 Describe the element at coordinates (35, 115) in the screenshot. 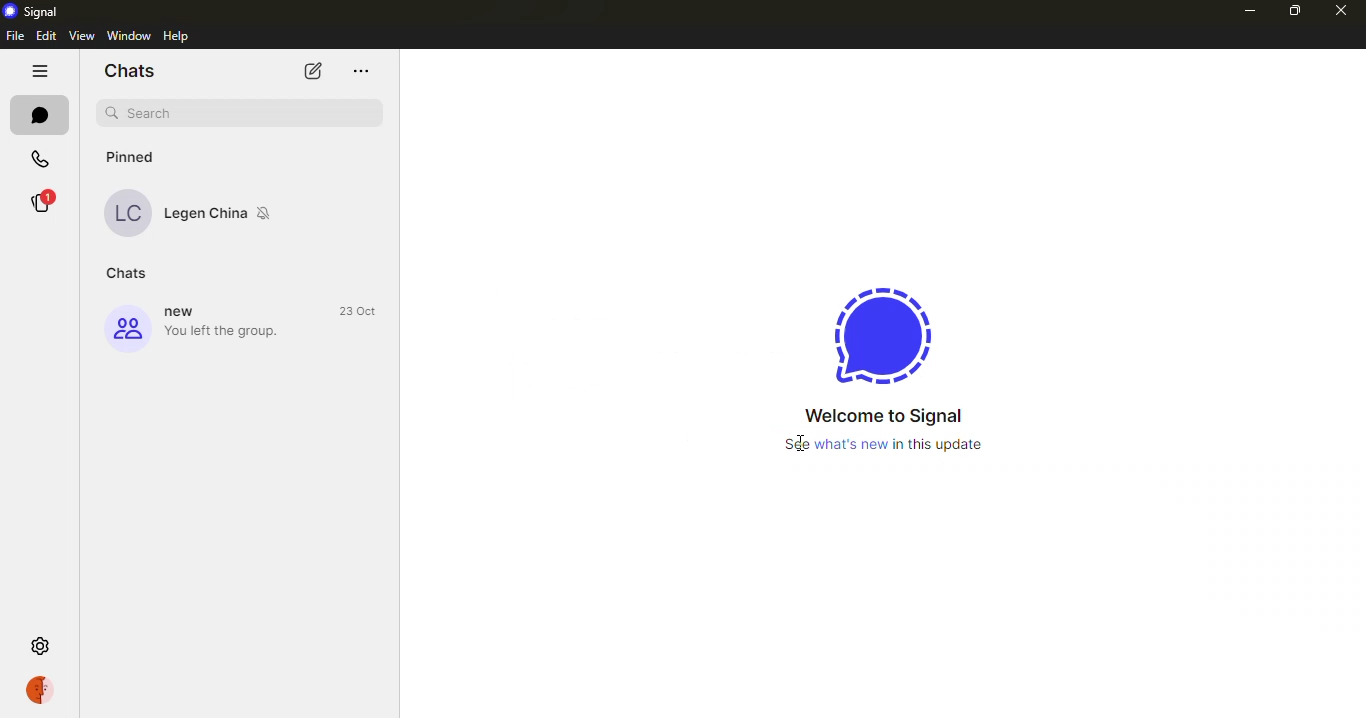

I see `chats` at that location.